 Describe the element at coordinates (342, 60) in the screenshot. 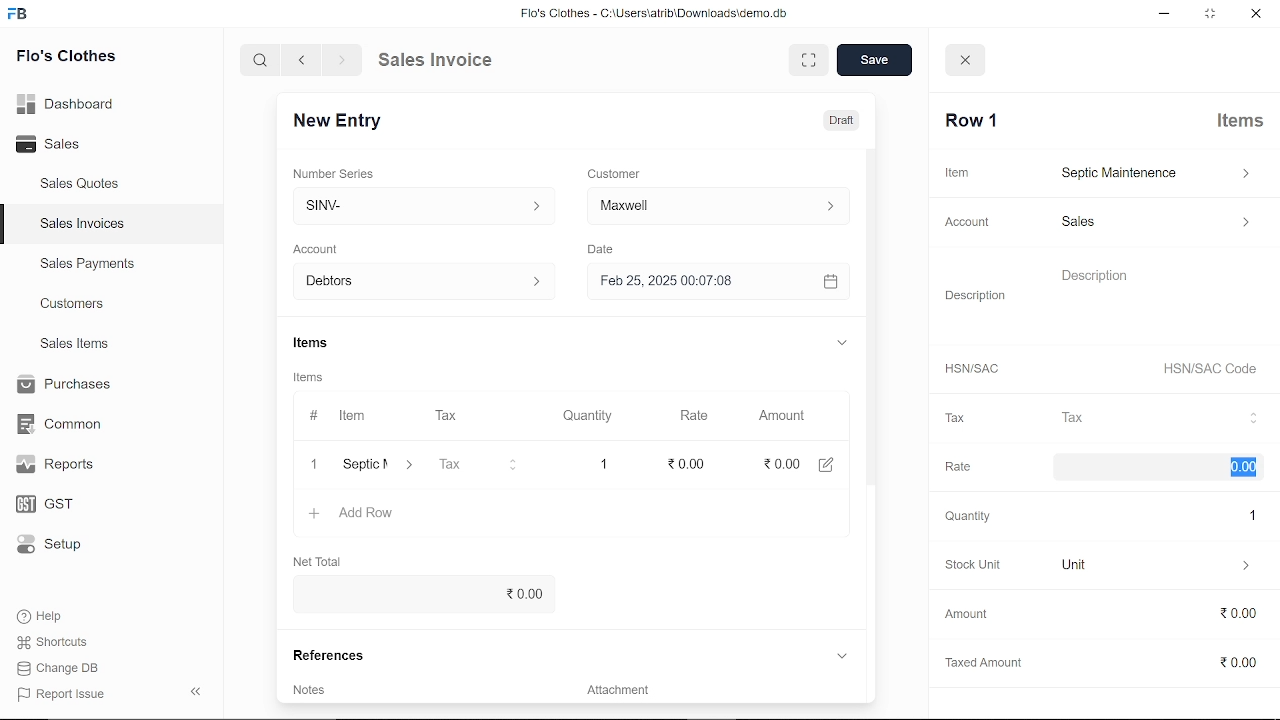

I see `next` at that location.